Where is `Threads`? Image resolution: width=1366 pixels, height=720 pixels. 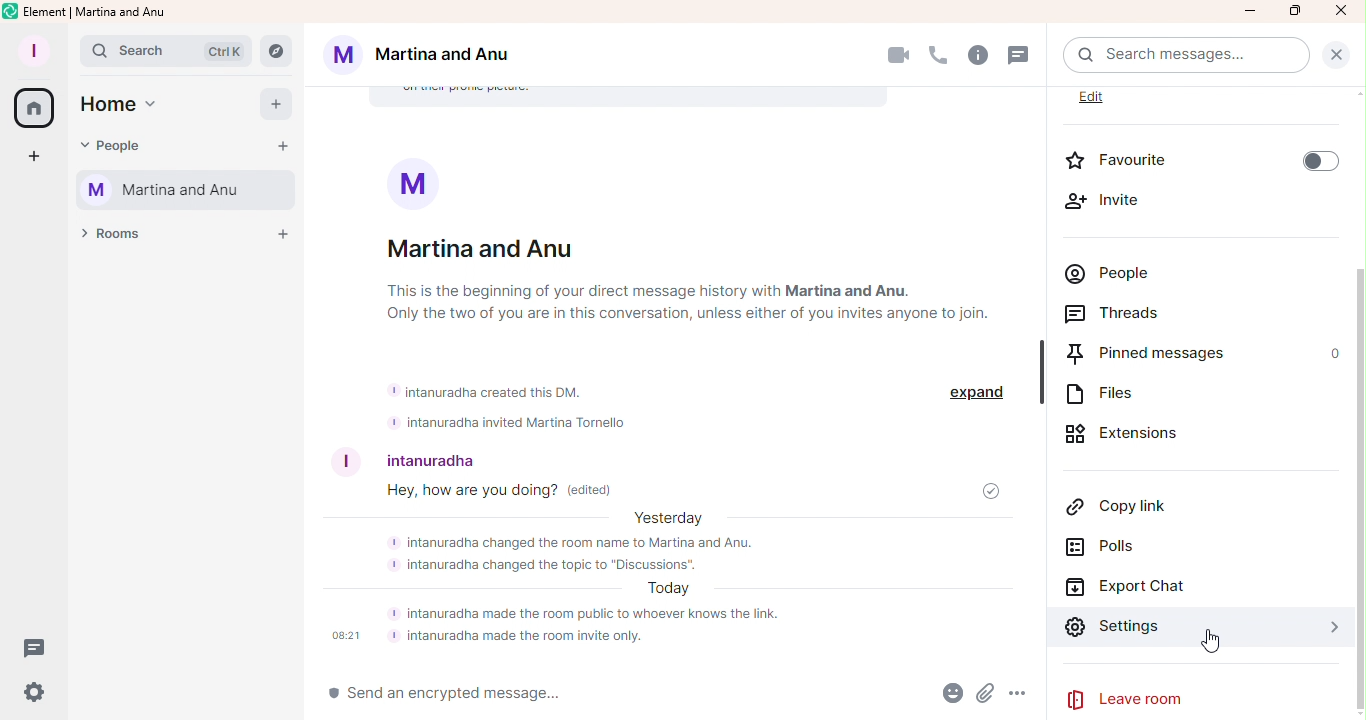 Threads is located at coordinates (1127, 312).